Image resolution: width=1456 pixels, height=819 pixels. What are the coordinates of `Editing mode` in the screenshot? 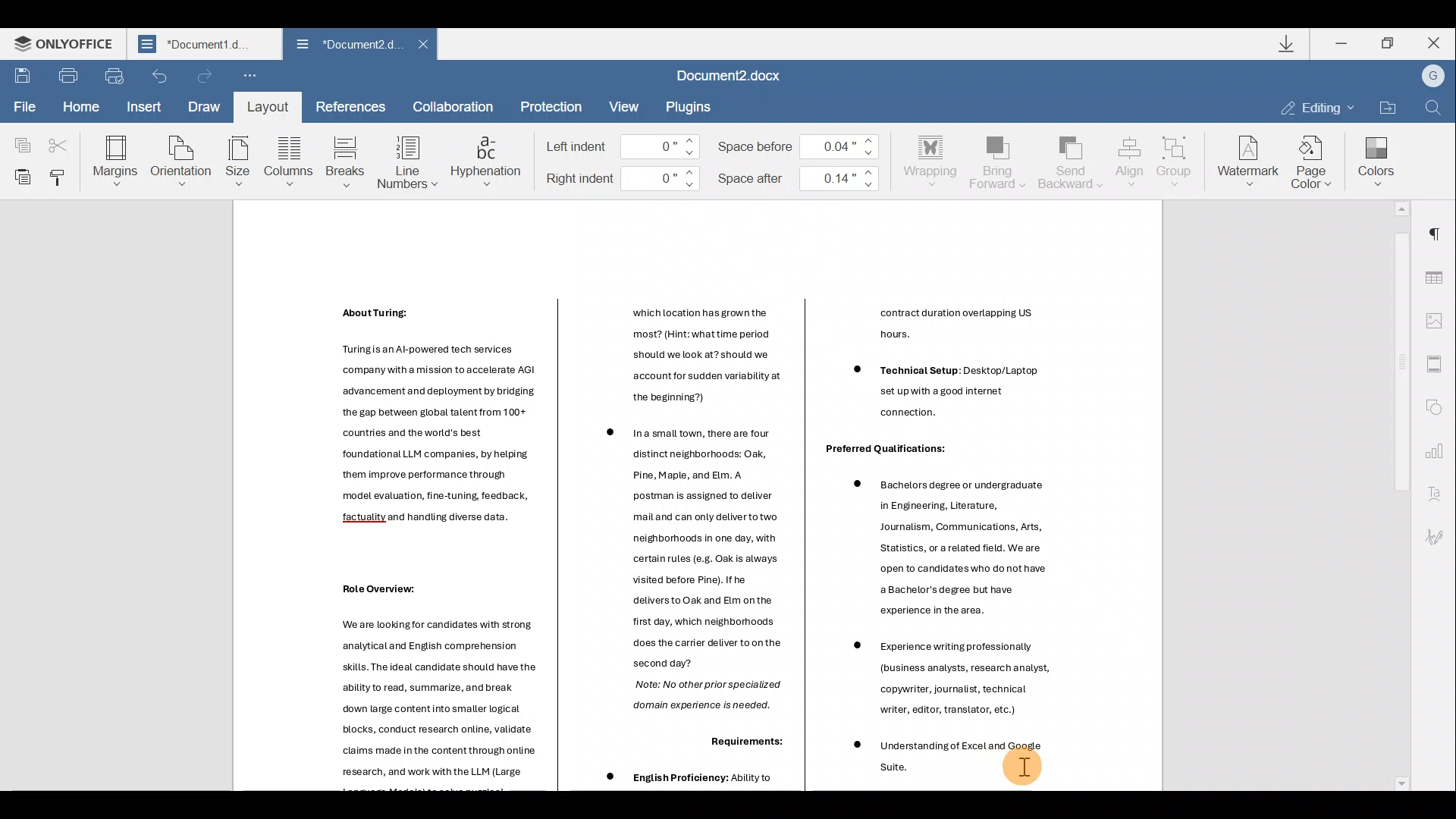 It's located at (1316, 106).